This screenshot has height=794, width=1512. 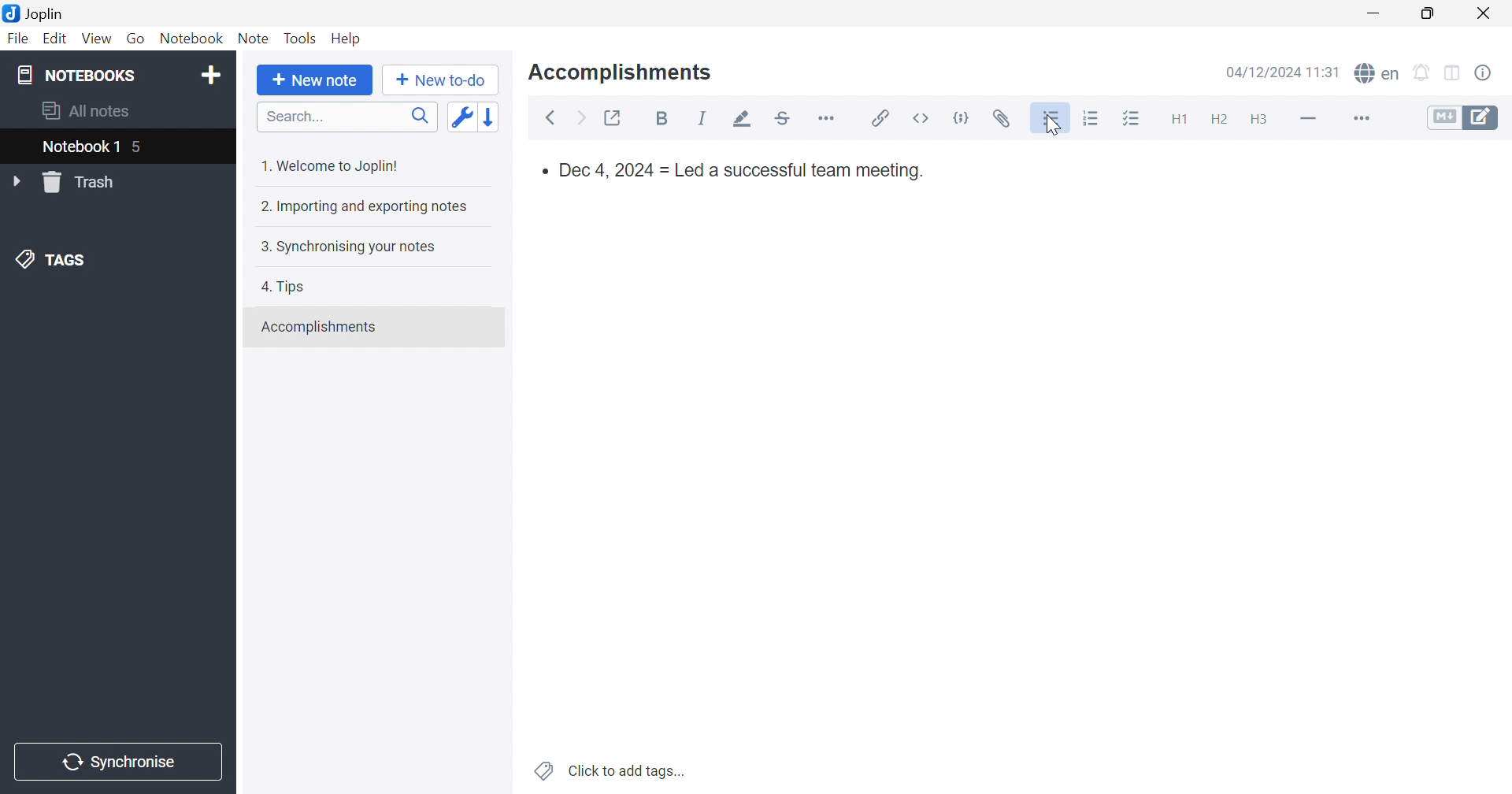 What do you see at coordinates (1463, 120) in the screenshot?
I see `Toggle editors` at bounding box center [1463, 120].